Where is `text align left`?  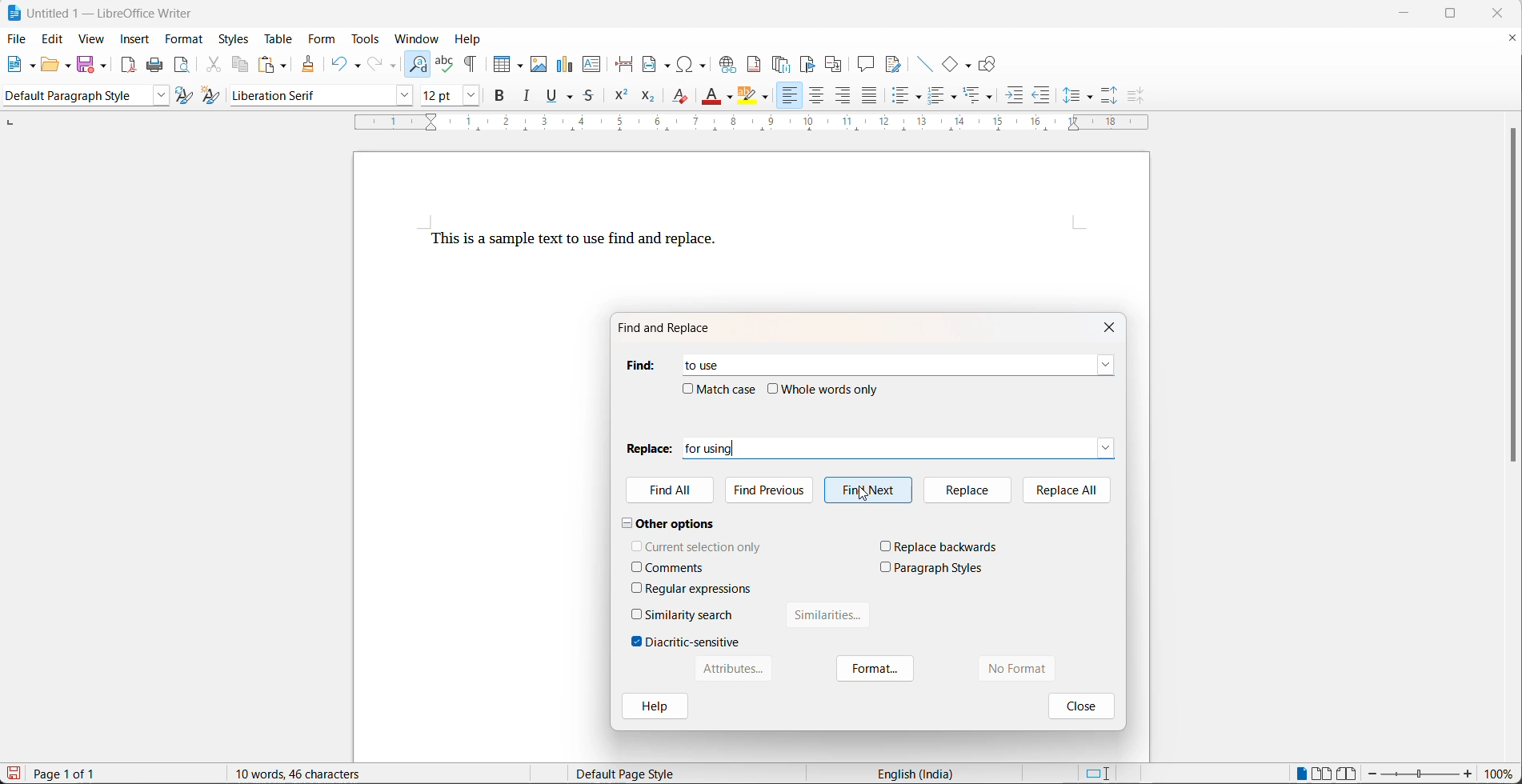 text align left is located at coordinates (788, 96).